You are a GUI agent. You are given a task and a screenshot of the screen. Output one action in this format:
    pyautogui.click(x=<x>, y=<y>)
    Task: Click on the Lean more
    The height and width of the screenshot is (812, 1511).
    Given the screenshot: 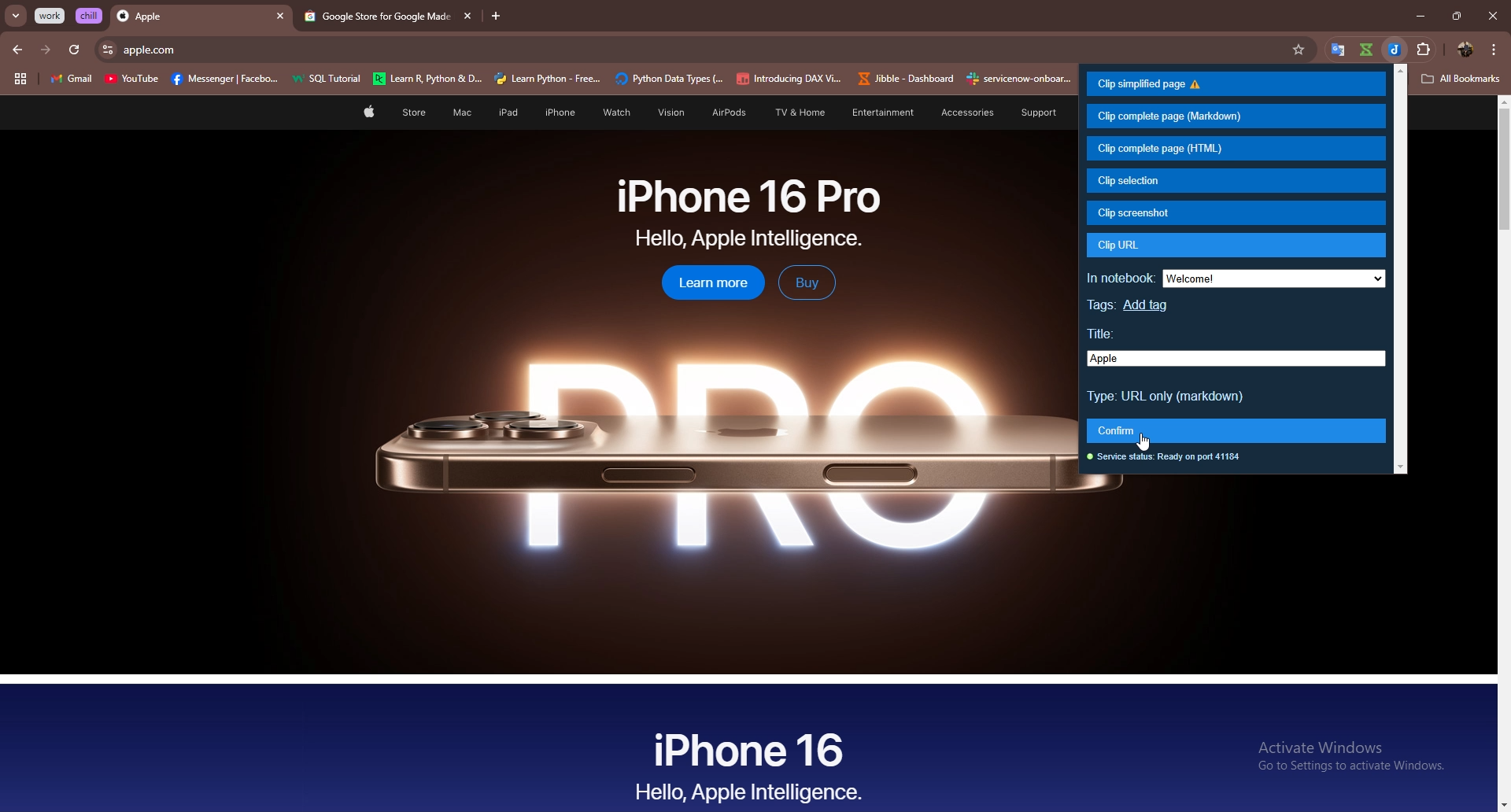 What is the action you would take?
    pyautogui.click(x=704, y=284)
    